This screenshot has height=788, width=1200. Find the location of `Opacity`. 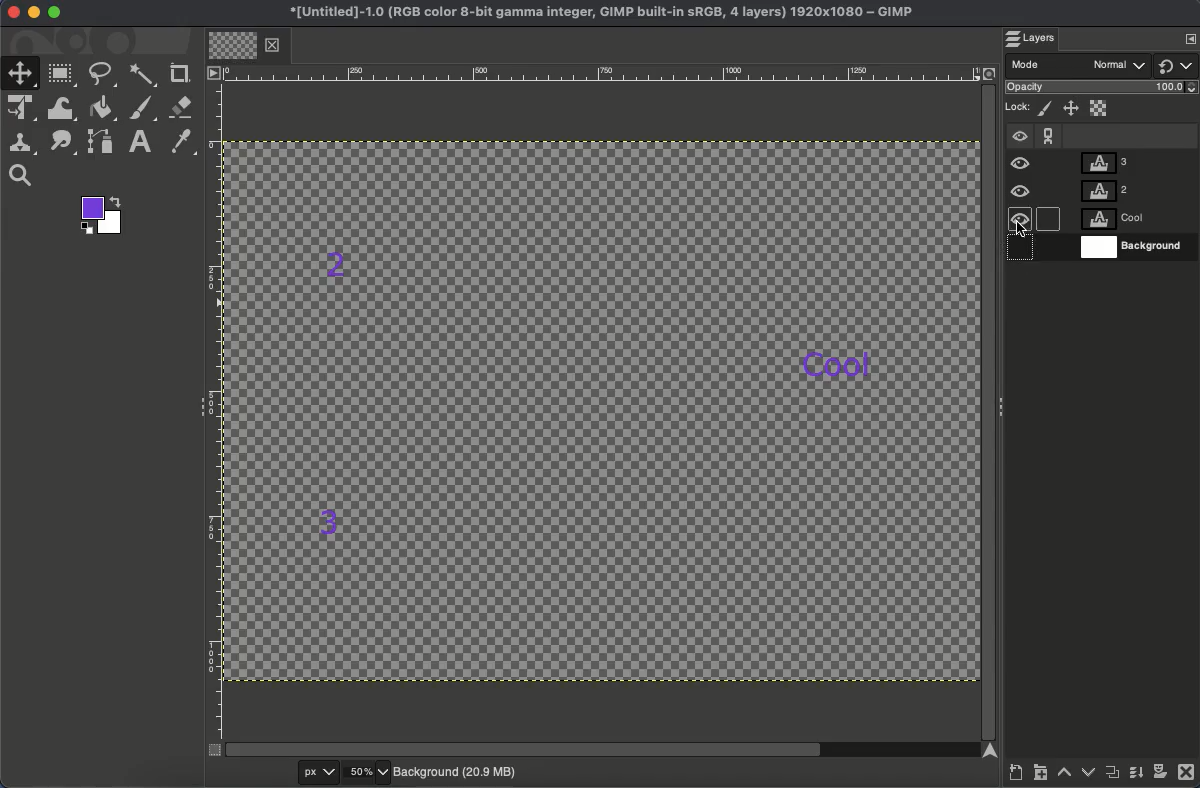

Opacity is located at coordinates (1104, 89).